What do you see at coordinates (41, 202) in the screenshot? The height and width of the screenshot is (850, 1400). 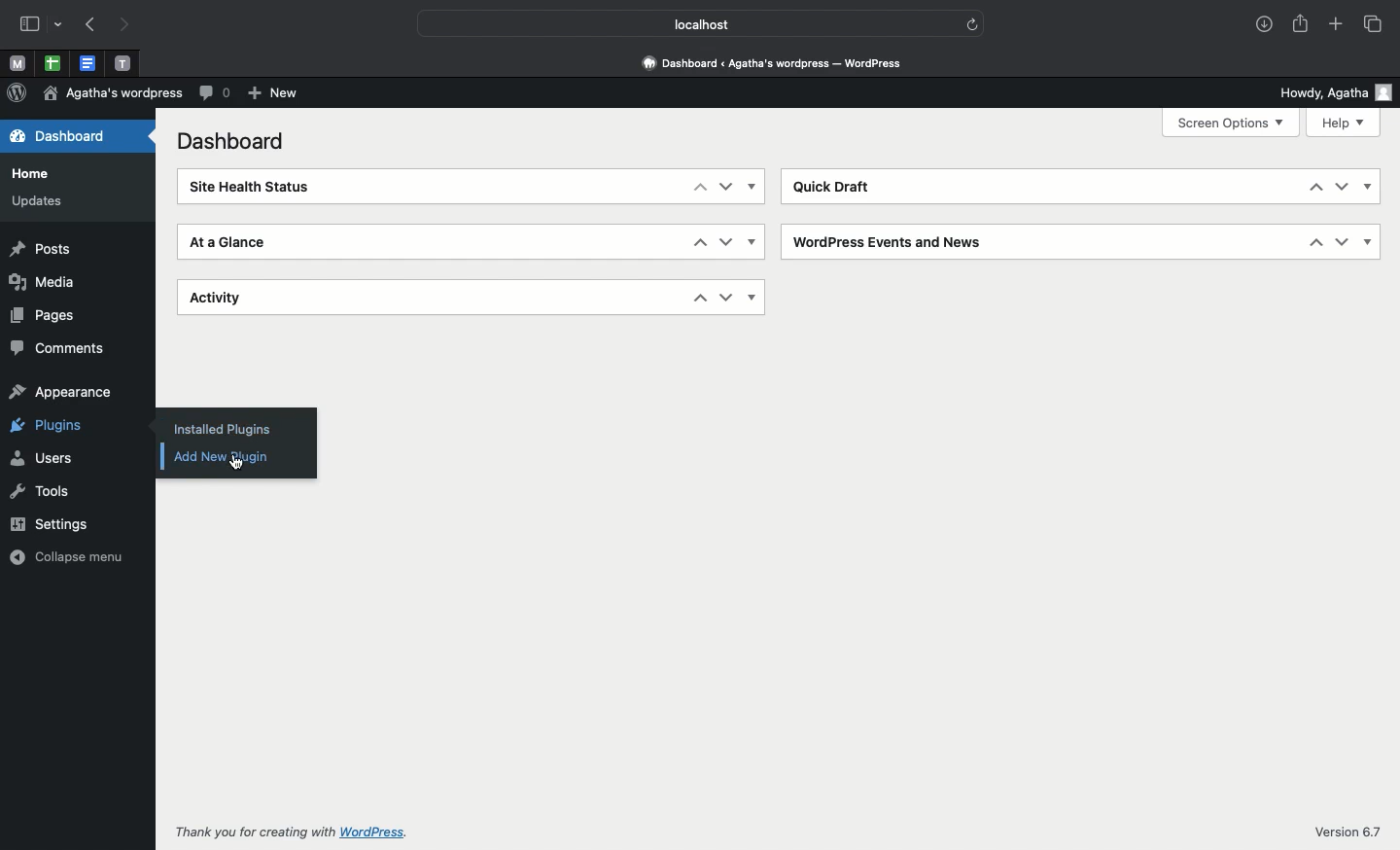 I see `Updates` at bounding box center [41, 202].